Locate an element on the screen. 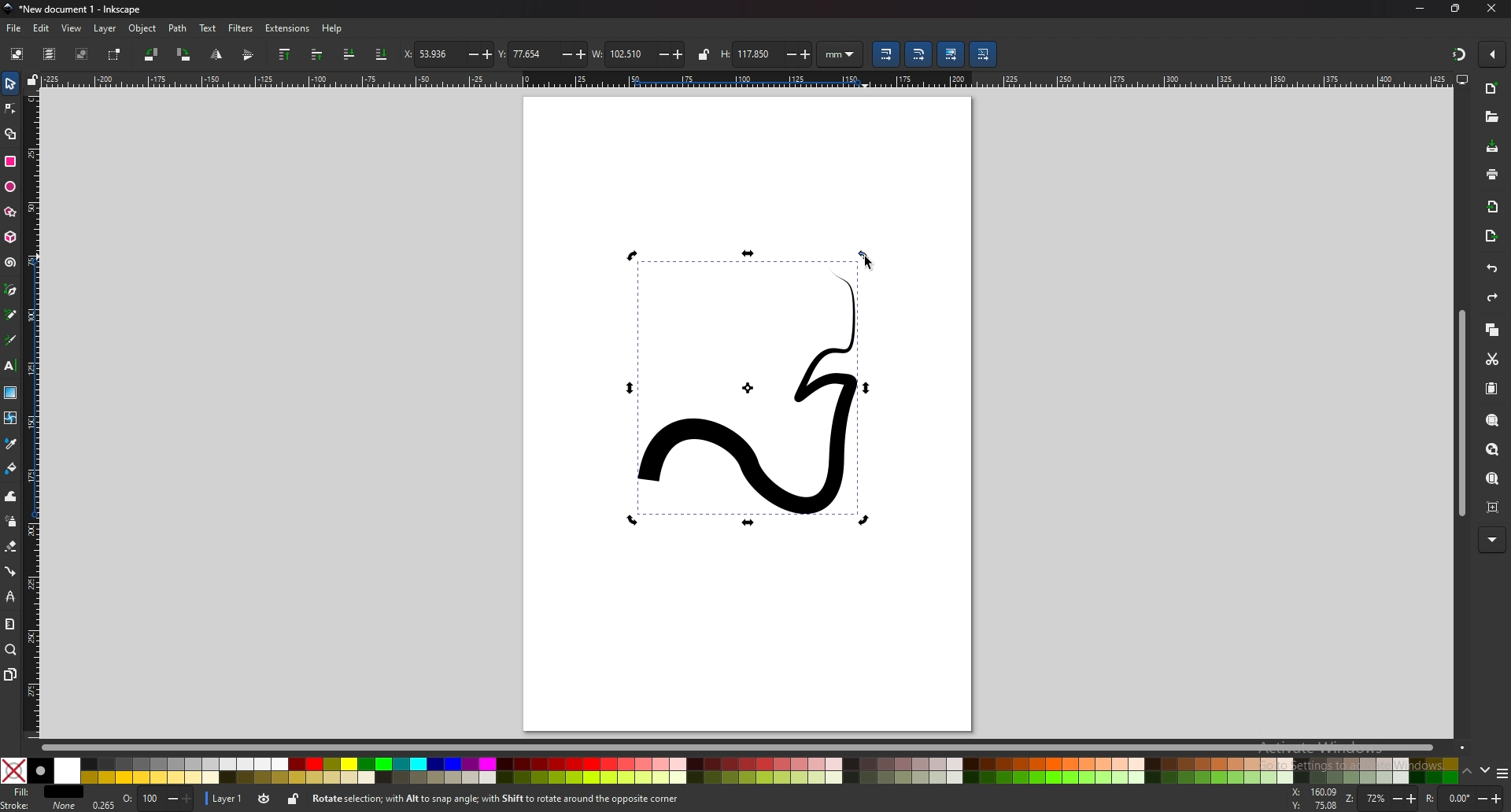 This screenshot has height=812, width=1511. zoom page is located at coordinates (1492, 479).